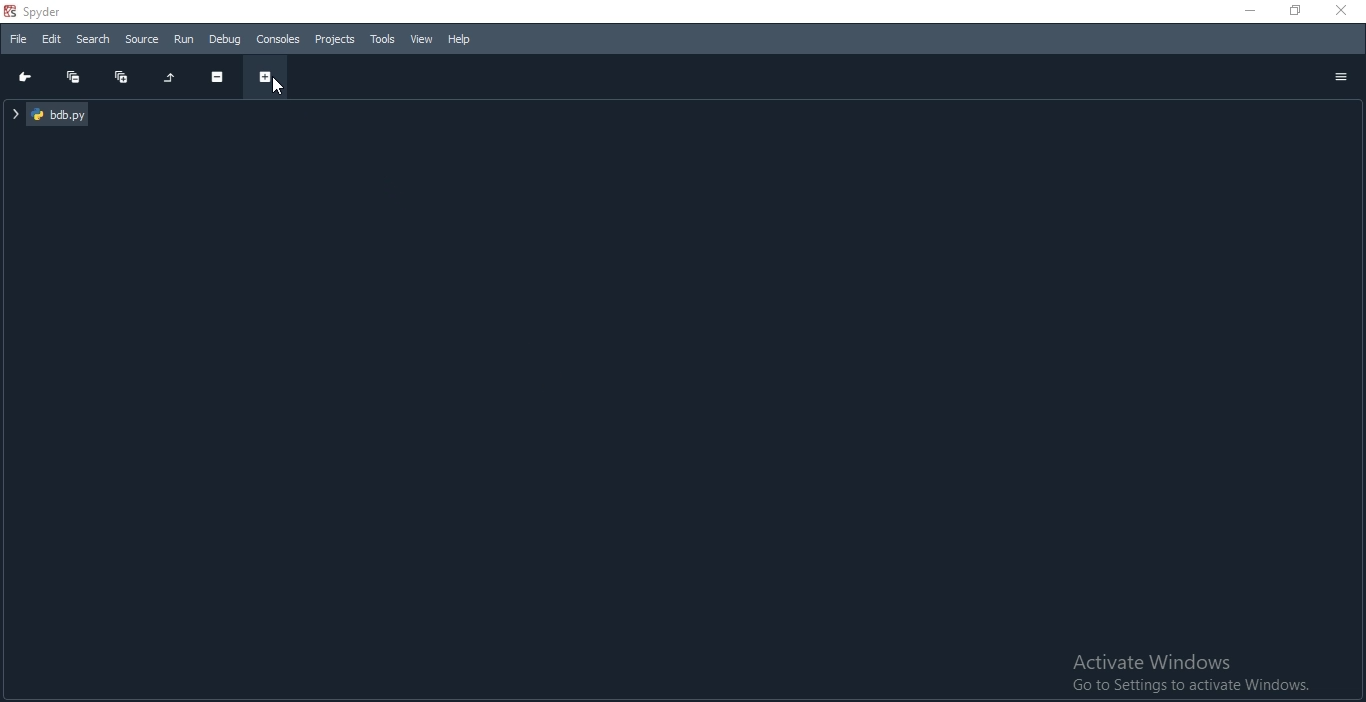 The width and height of the screenshot is (1366, 702). What do you see at coordinates (1248, 10) in the screenshot?
I see `minimise` at bounding box center [1248, 10].